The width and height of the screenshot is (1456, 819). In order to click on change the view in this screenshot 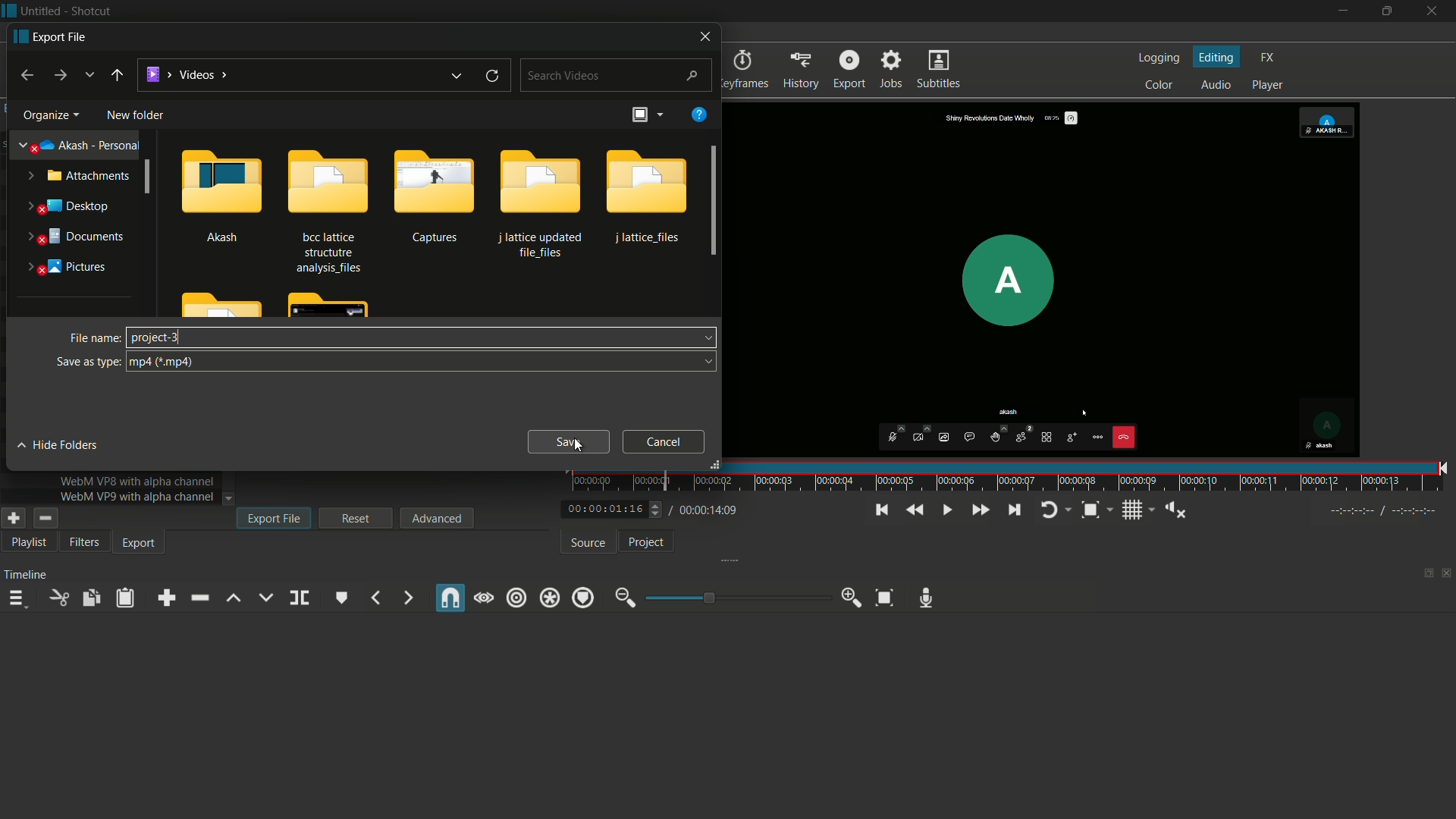, I will do `click(637, 115)`.